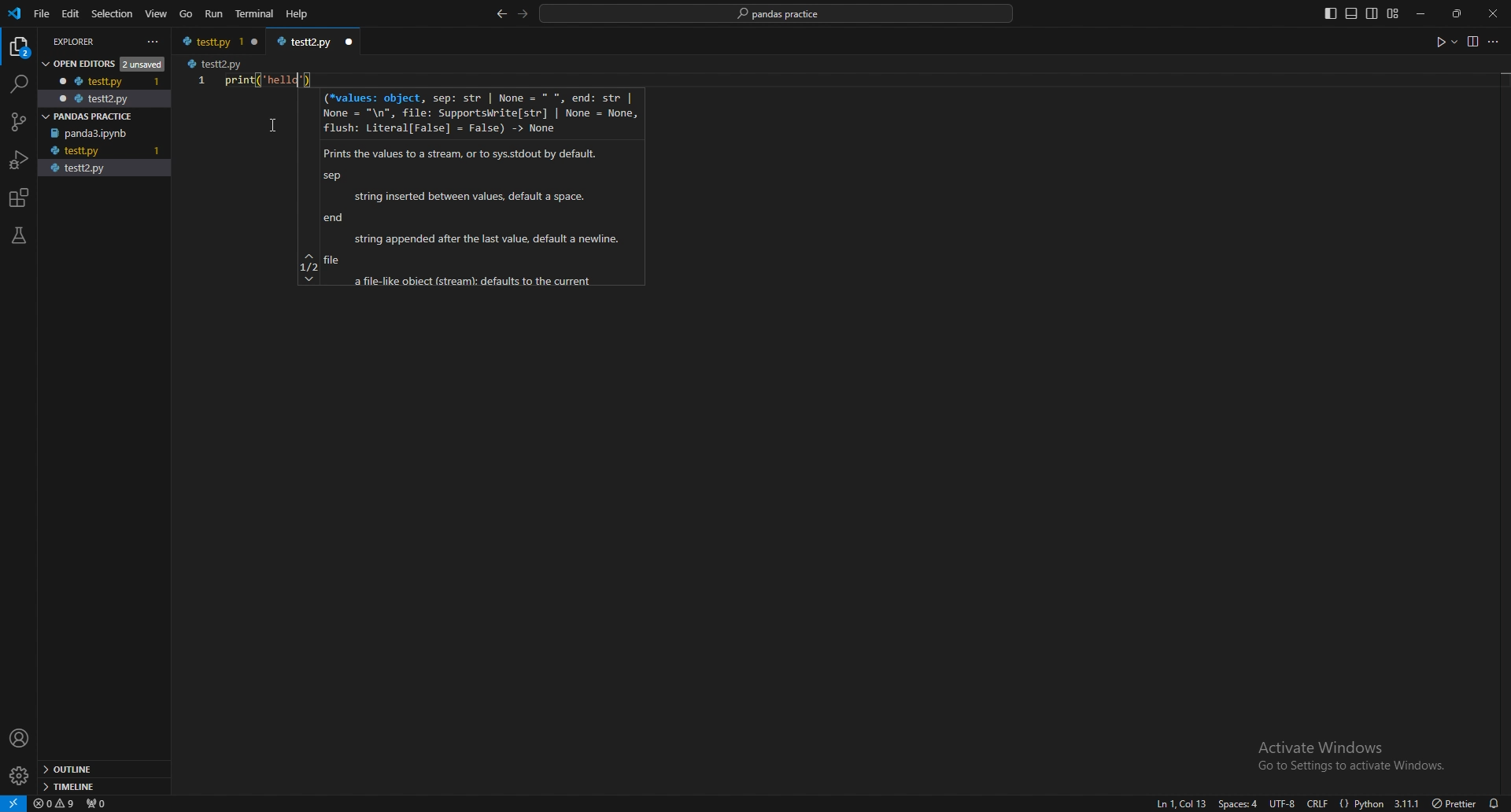 Image resolution: width=1511 pixels, height=812 pixels. I want to click on search, so click(17, 84).